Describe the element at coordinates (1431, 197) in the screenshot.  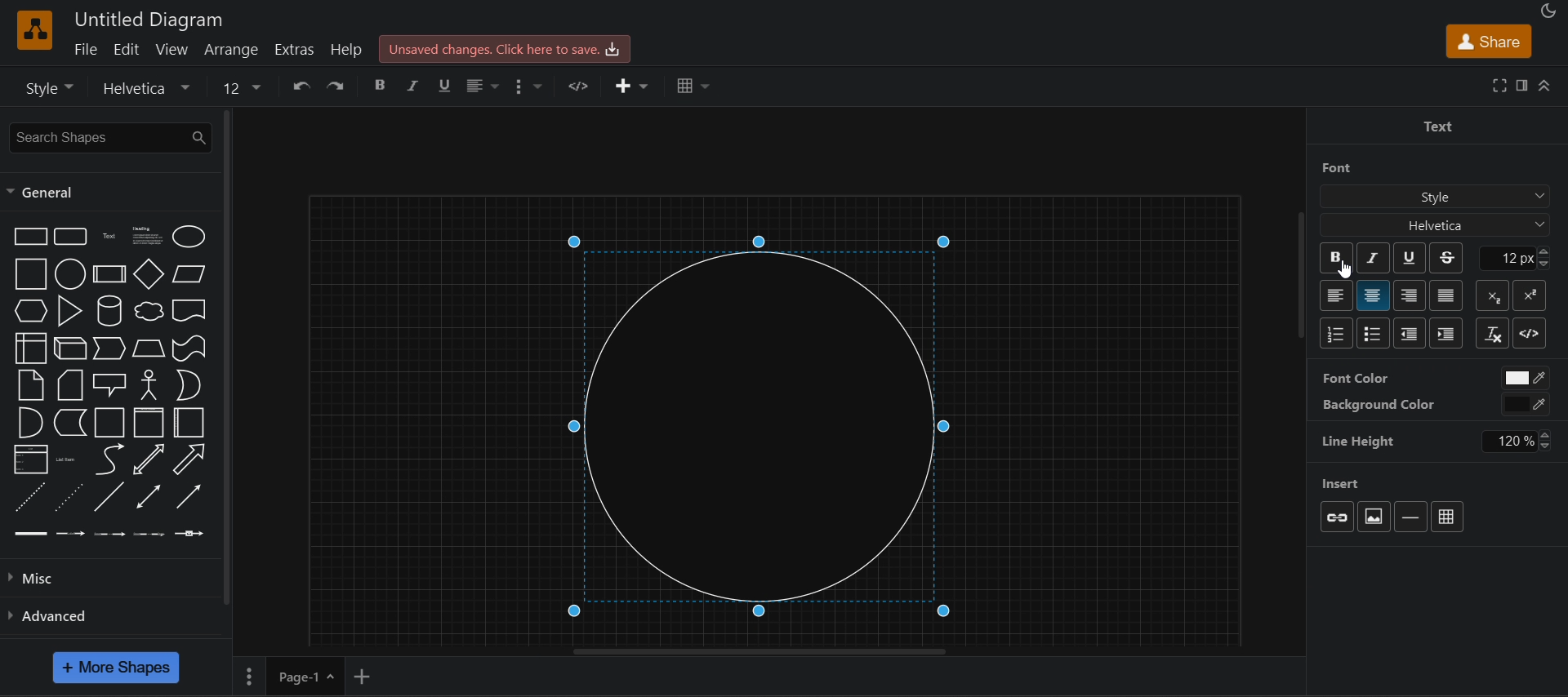
I see `style` at that location.